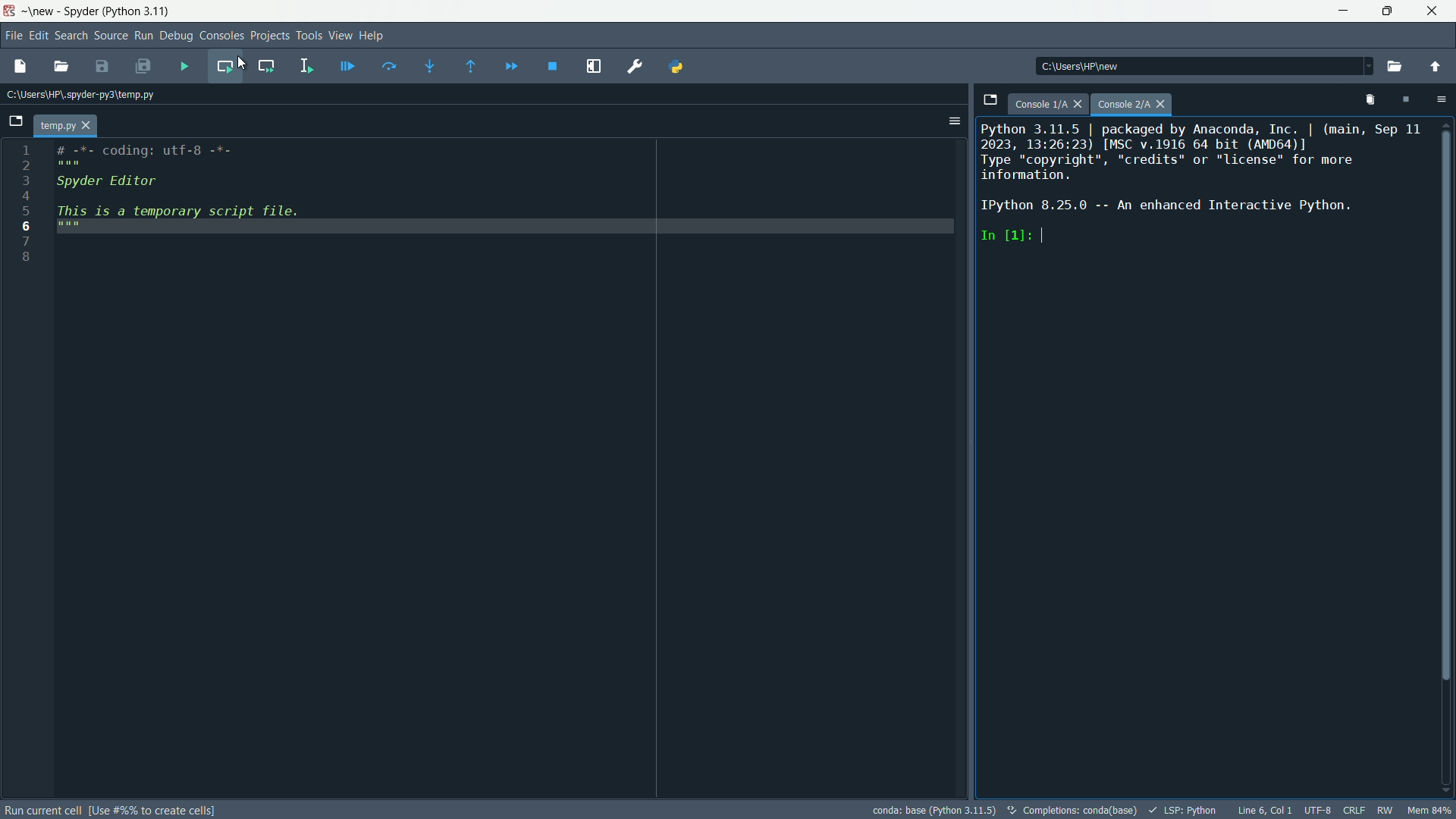 This screenshot has height=819, width=1456. Describe the element at coordinates (340, 36) in the screenshot. I see `view menu` at that location.